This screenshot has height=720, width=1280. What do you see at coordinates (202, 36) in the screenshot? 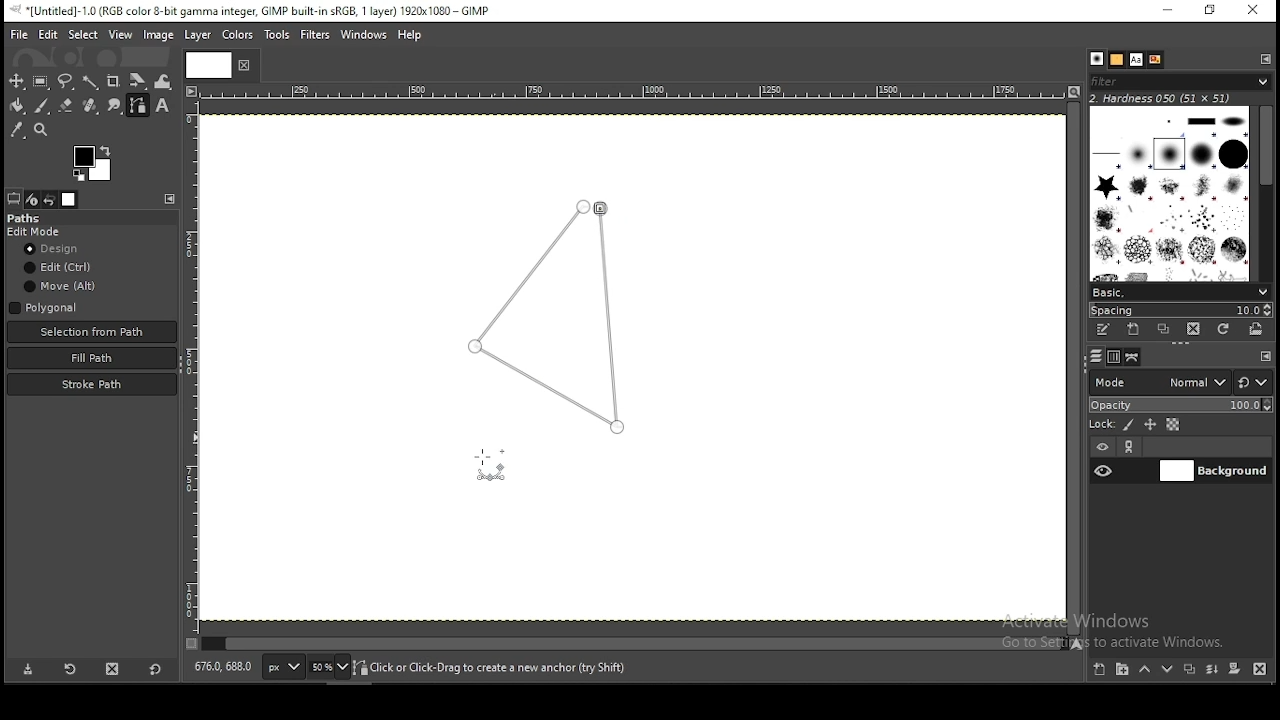
I see `layer` at bounding box center [202, 36].